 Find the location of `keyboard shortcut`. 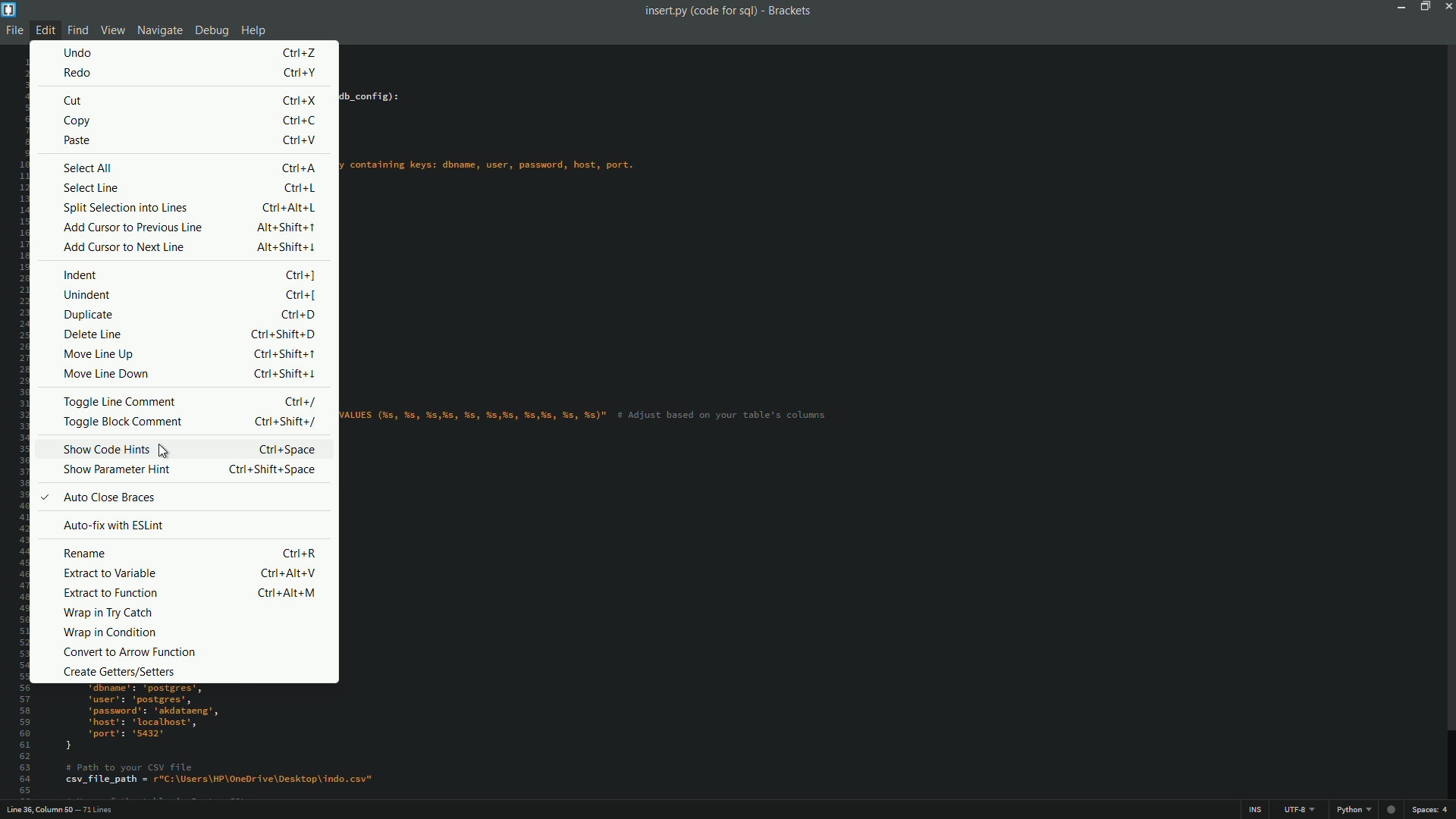

keyboard shortcut is located at coordinates (288, 575).